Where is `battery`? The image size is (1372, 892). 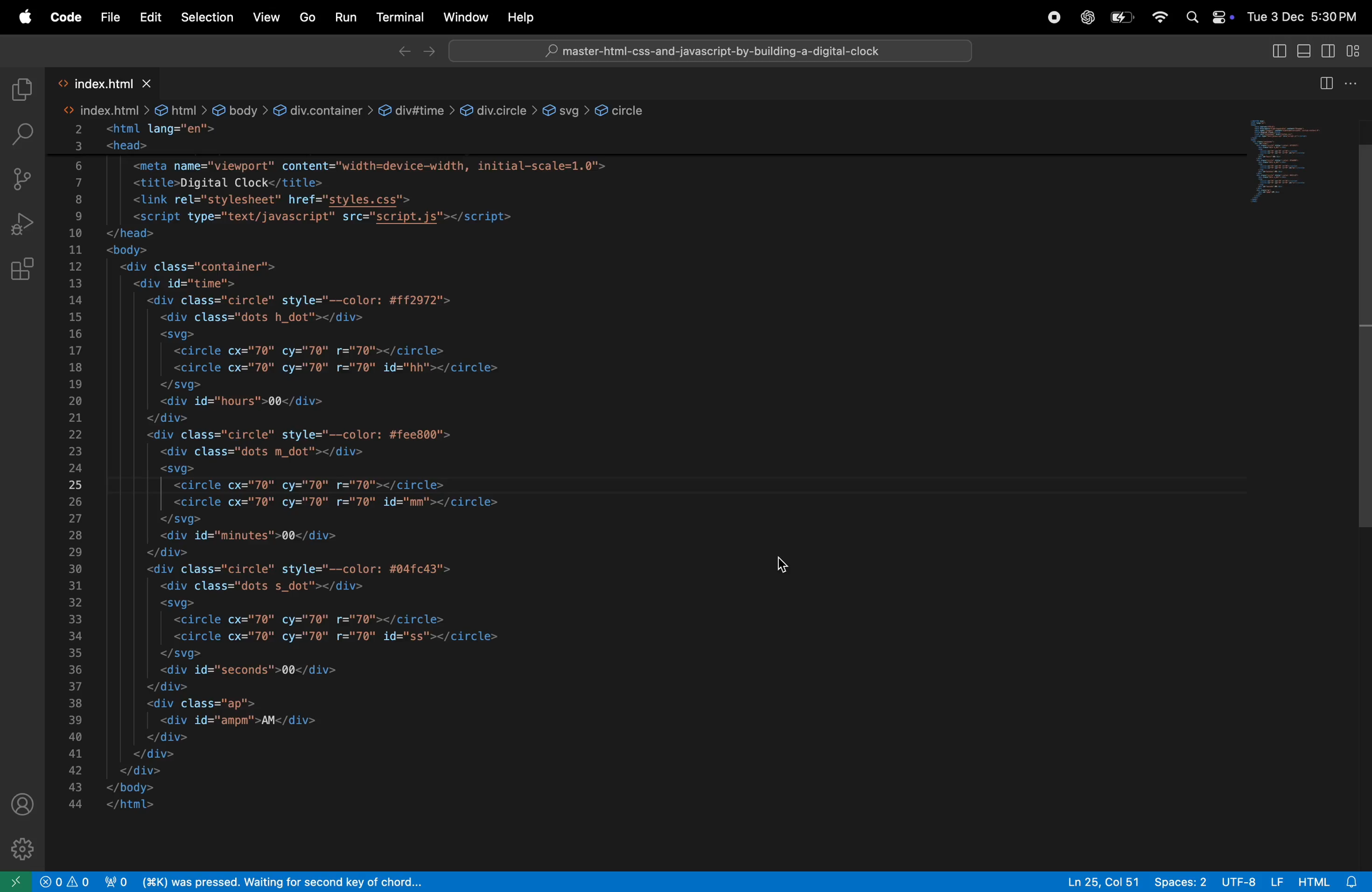 battery is located at coordinates (1124, 17).